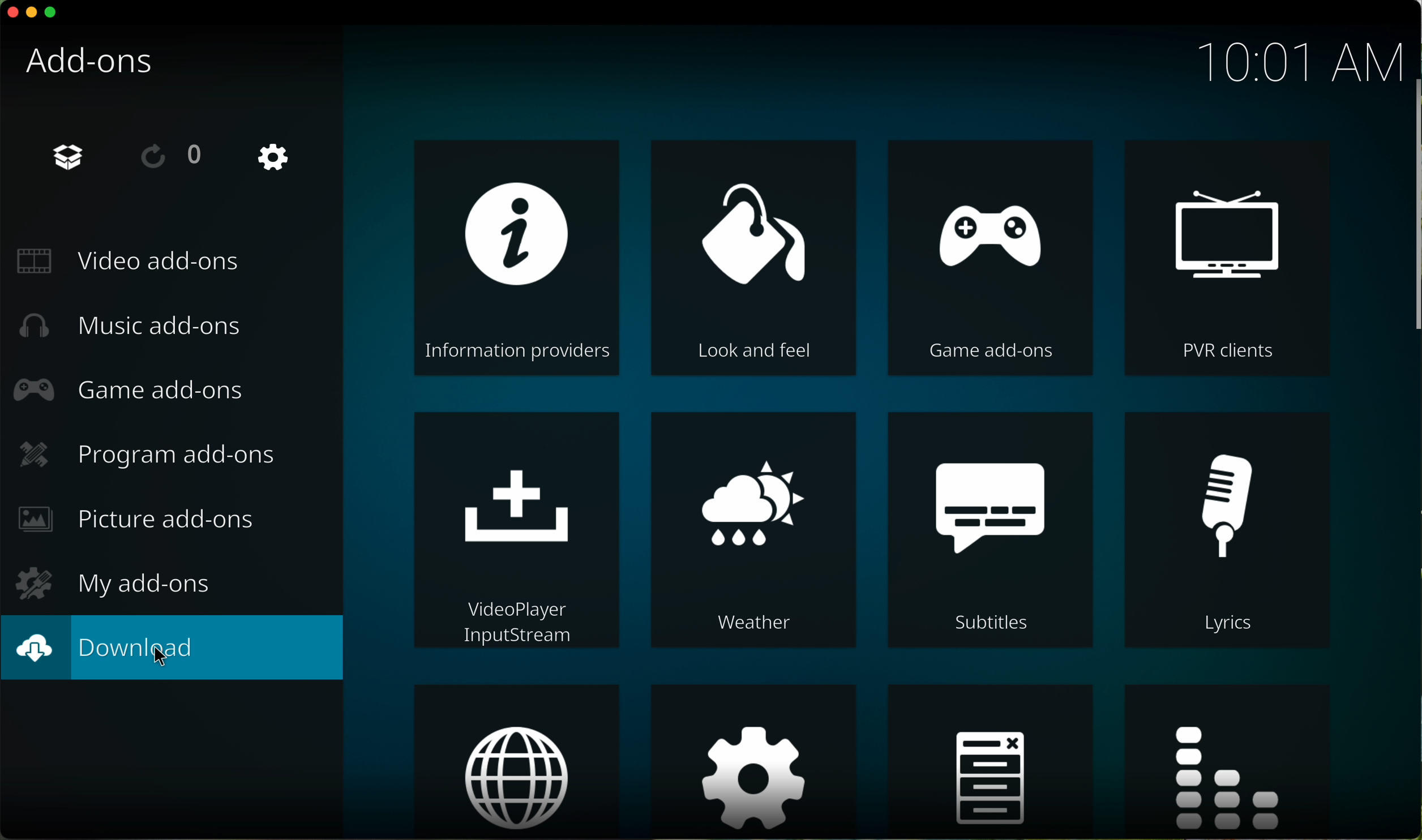 This screenshot has width=1422, height=840. What do you see at coordinates (32, 16) in the screenshot?
I see `minimize` at bounding box center [32, 16].